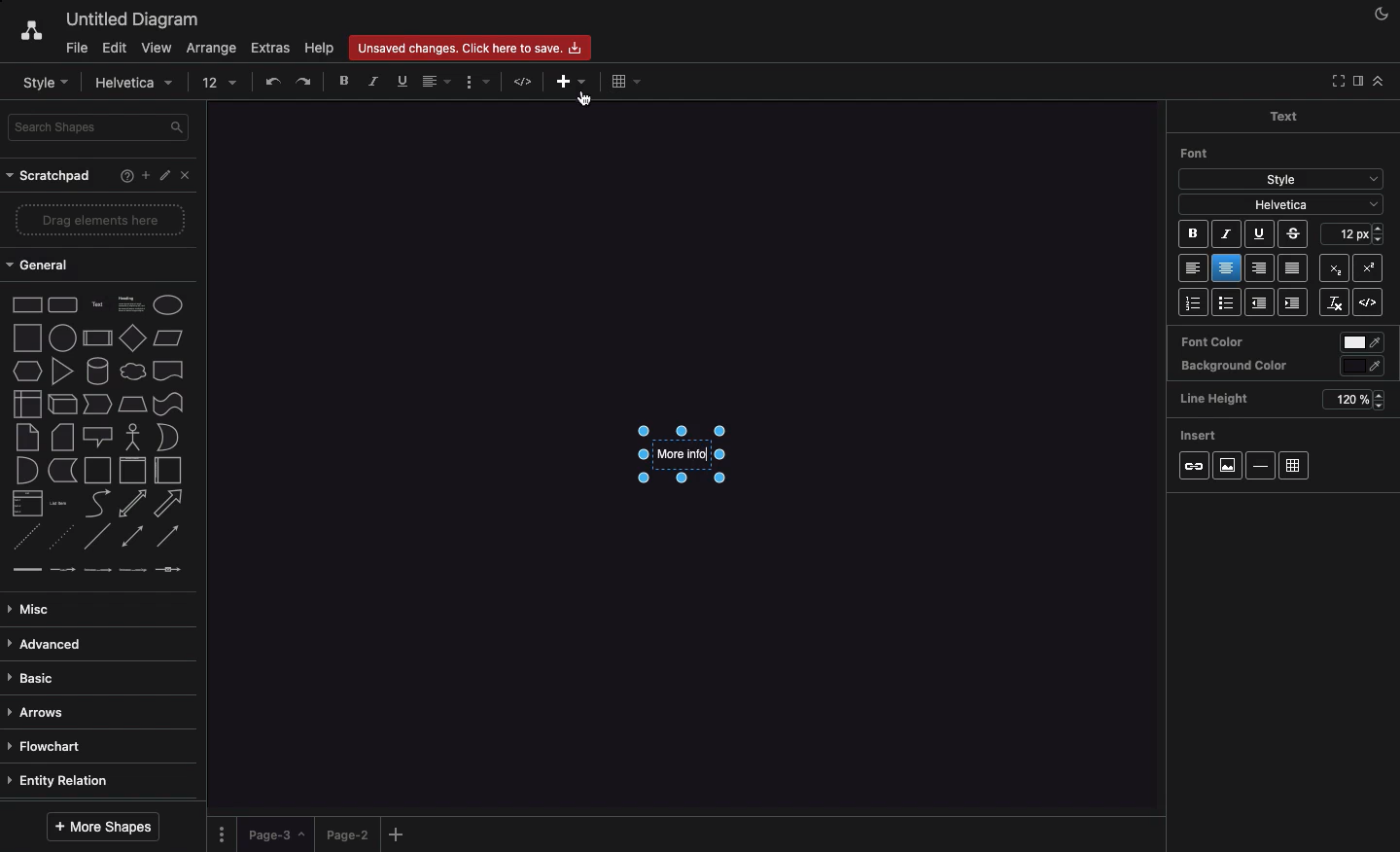  I want to click on Night mode on, so click(1380, 15).